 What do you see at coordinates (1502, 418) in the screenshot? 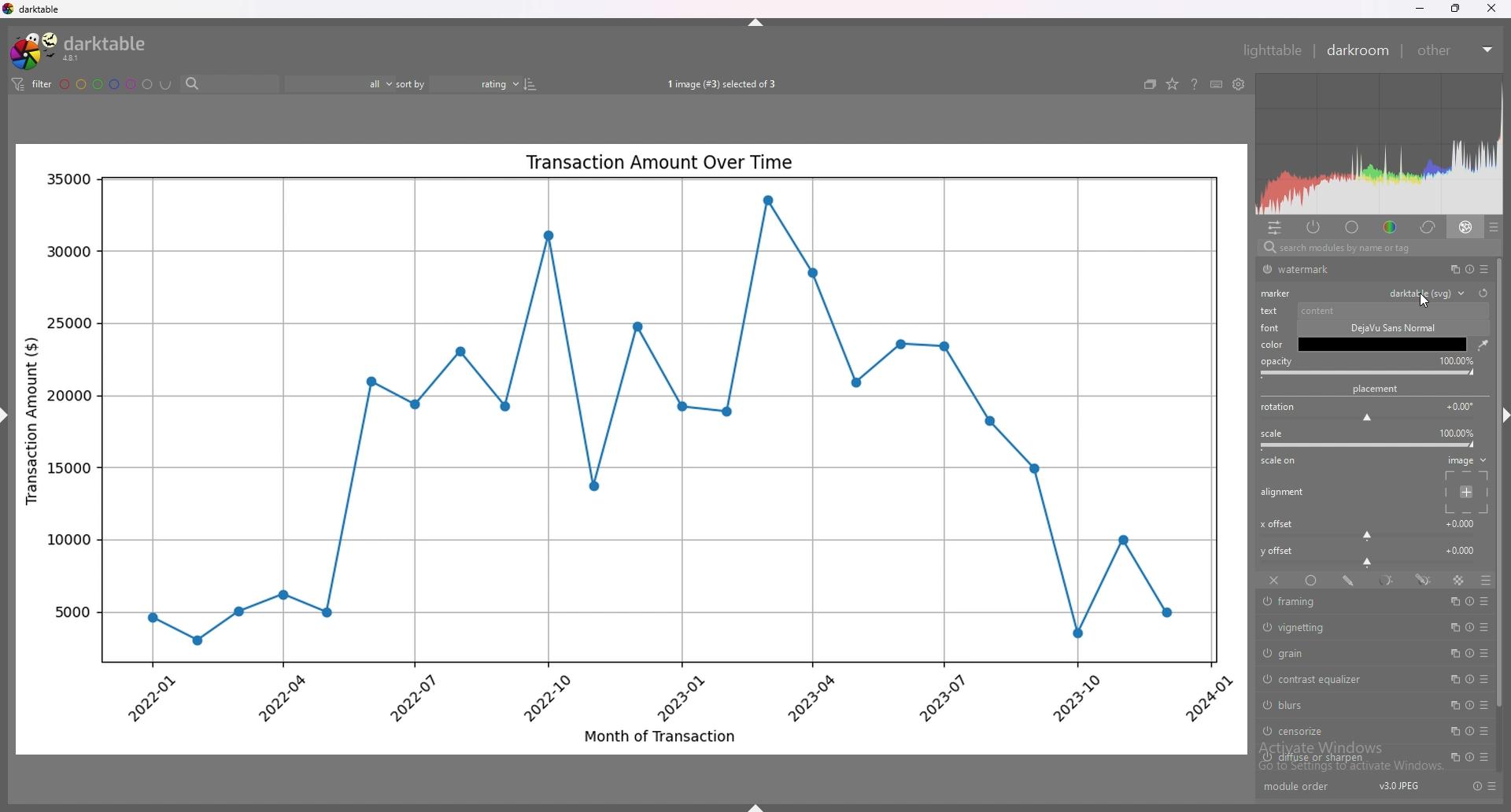
I see `hide` at bounding box center [1502, 418].